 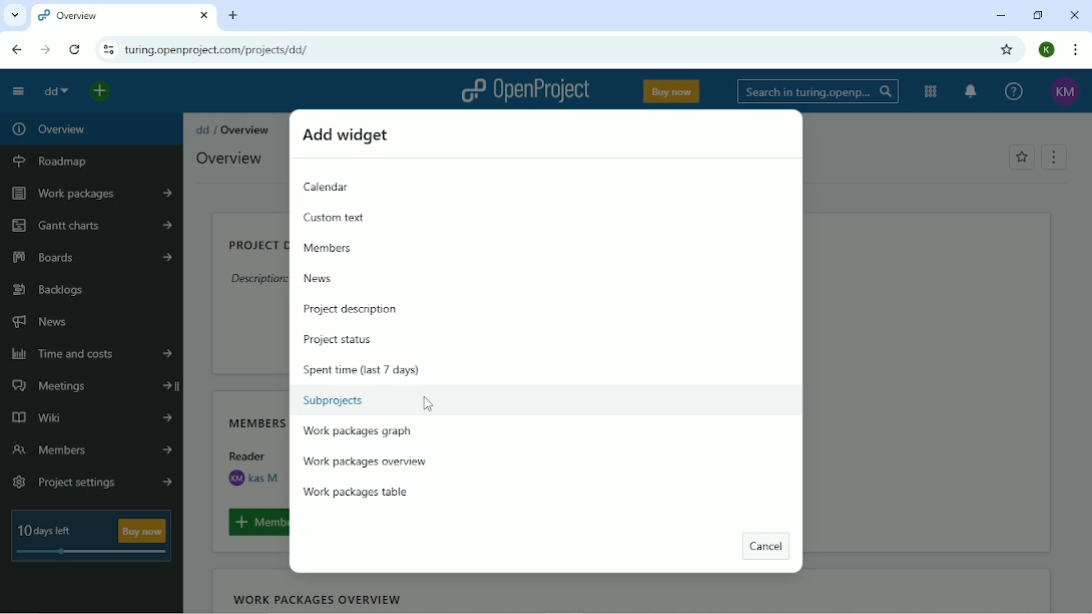 I want to click on Reload this page, so click(x=77, y=49).